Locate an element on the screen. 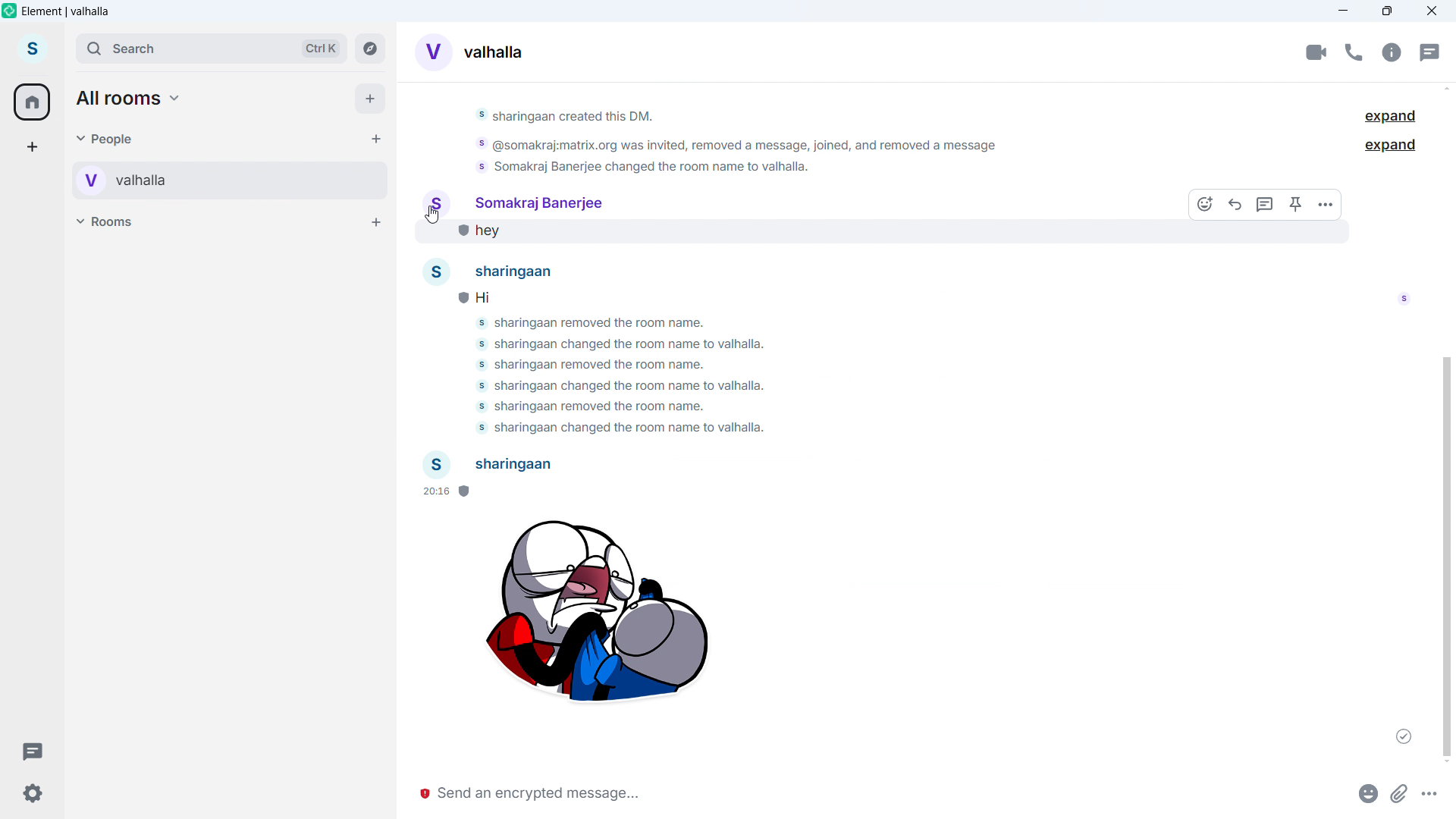  Hi is located at coordinates (501, 296).